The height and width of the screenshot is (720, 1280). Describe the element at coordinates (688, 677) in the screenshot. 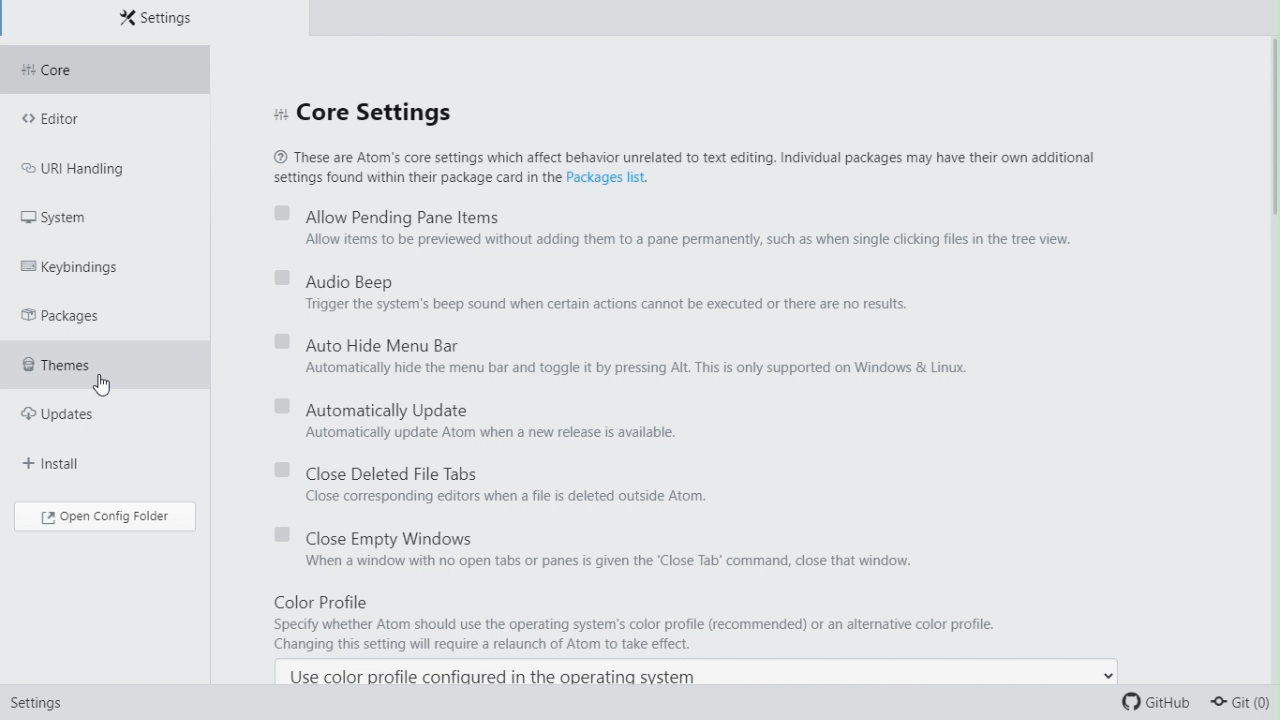

I see `Use color profile configured in the operating system` at that location.